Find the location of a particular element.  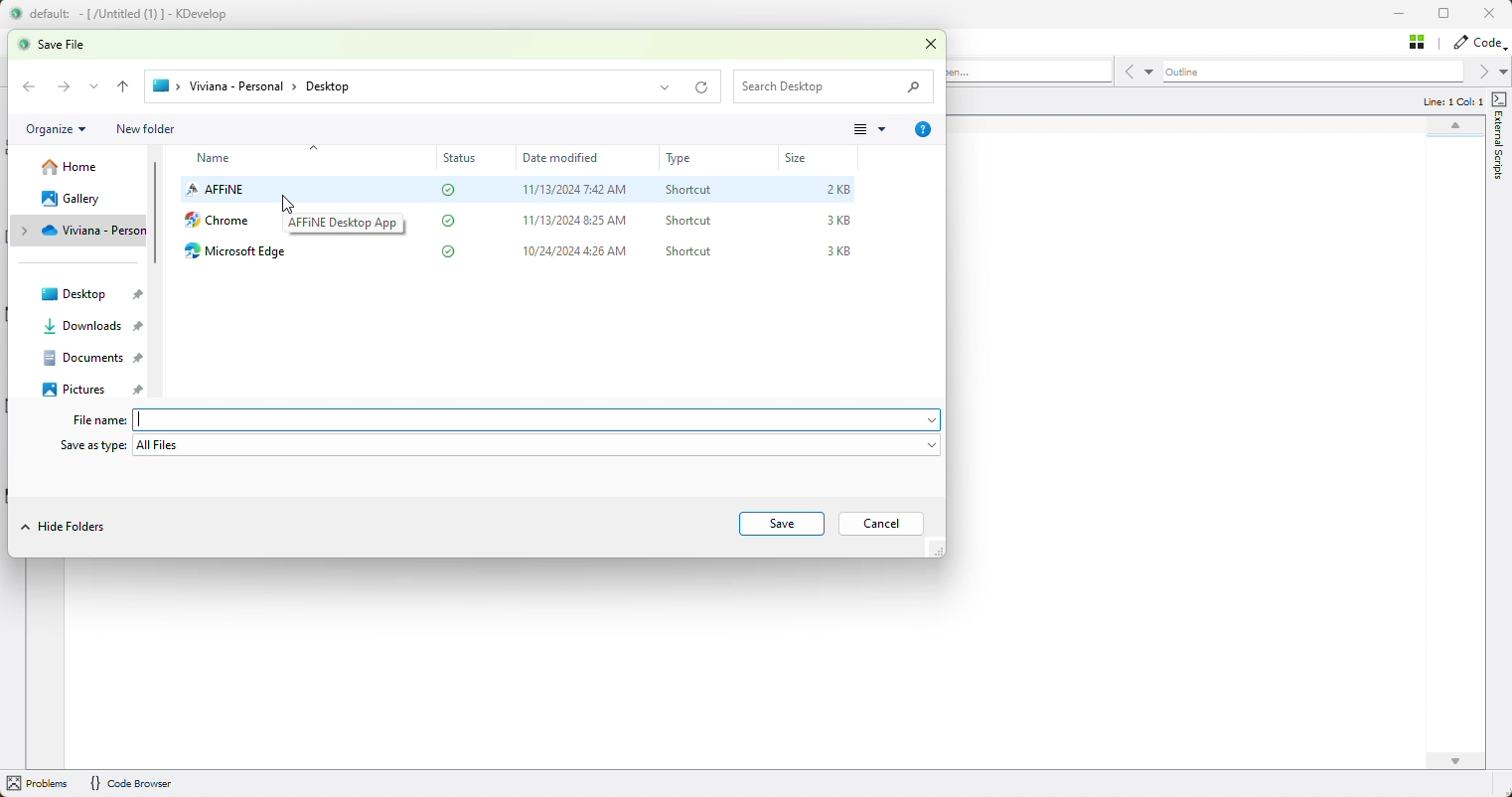

cursor is located at coordinates (291, 203).